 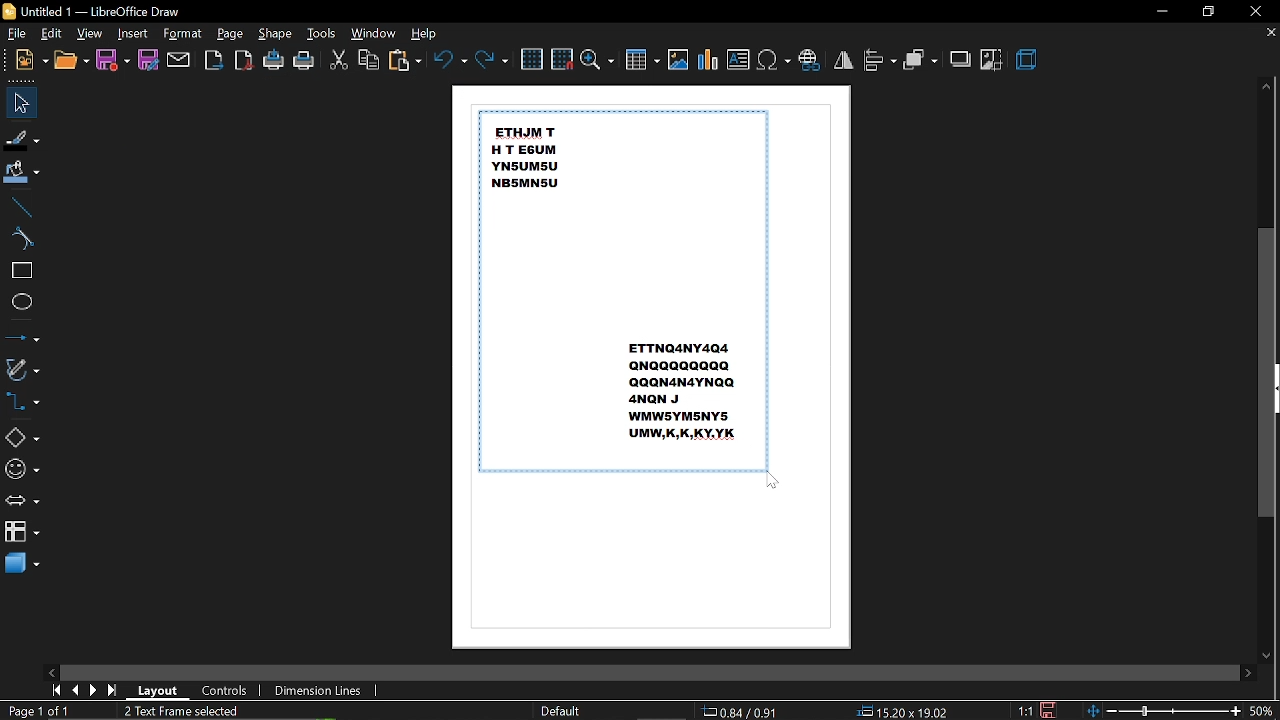 What do you see at coordinates (598, 61) in the screenshot?
I see `zoom` at bounding box center [598, 61].